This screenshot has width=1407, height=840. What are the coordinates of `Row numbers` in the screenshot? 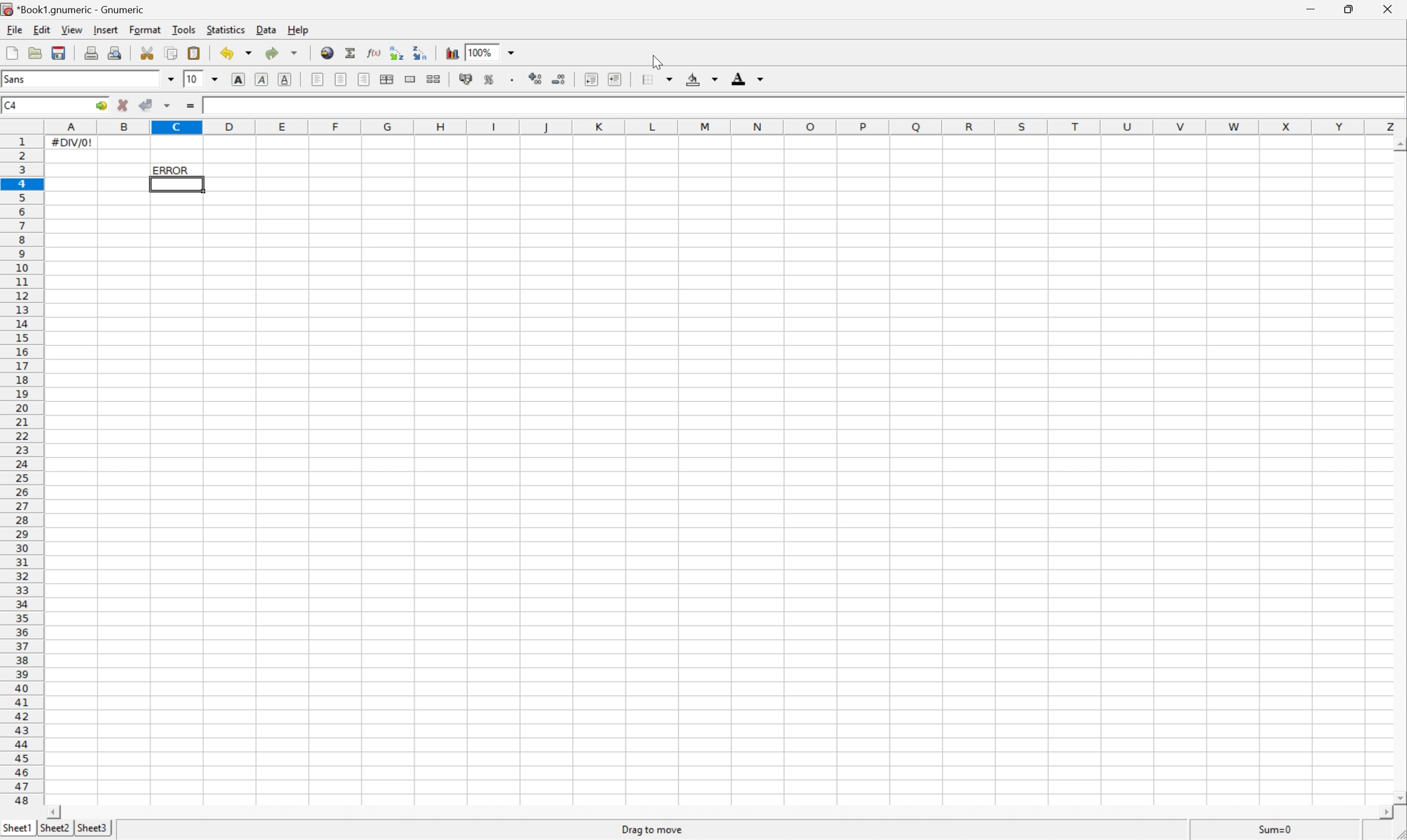 It's located at (20, 471).